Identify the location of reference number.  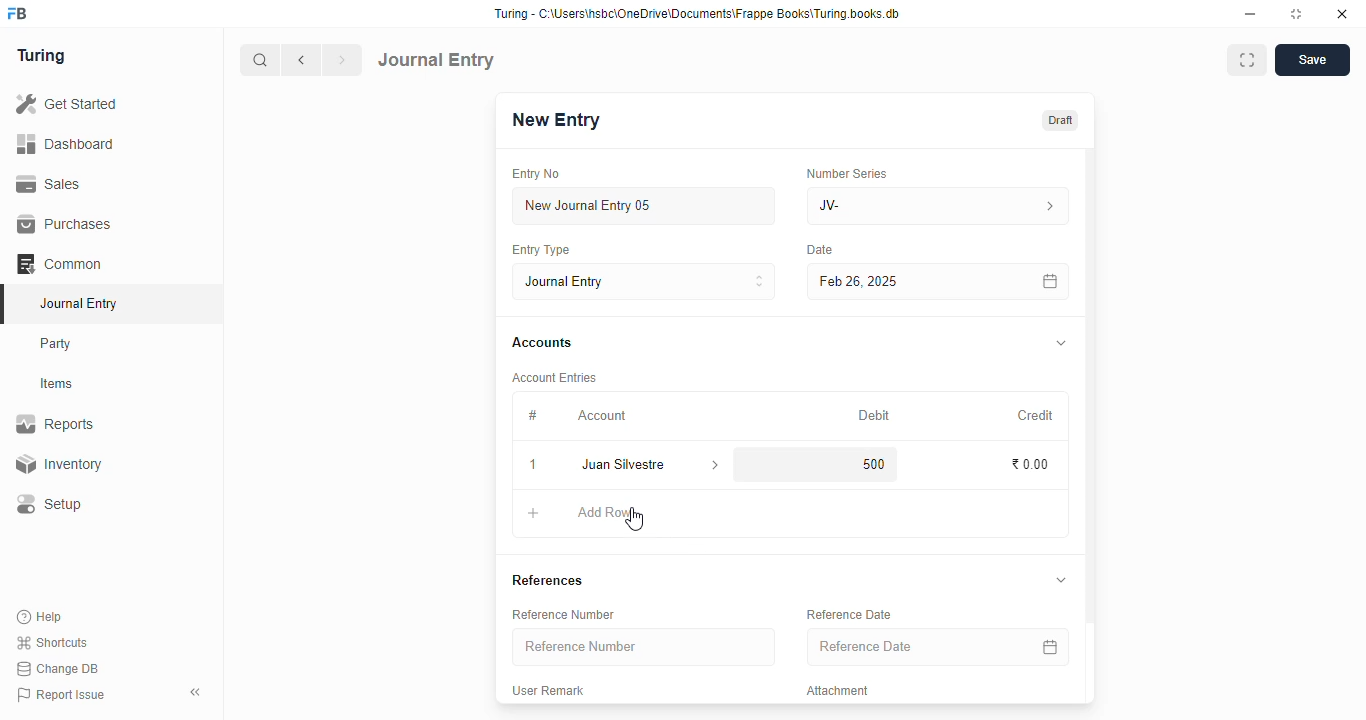
(563, 614).